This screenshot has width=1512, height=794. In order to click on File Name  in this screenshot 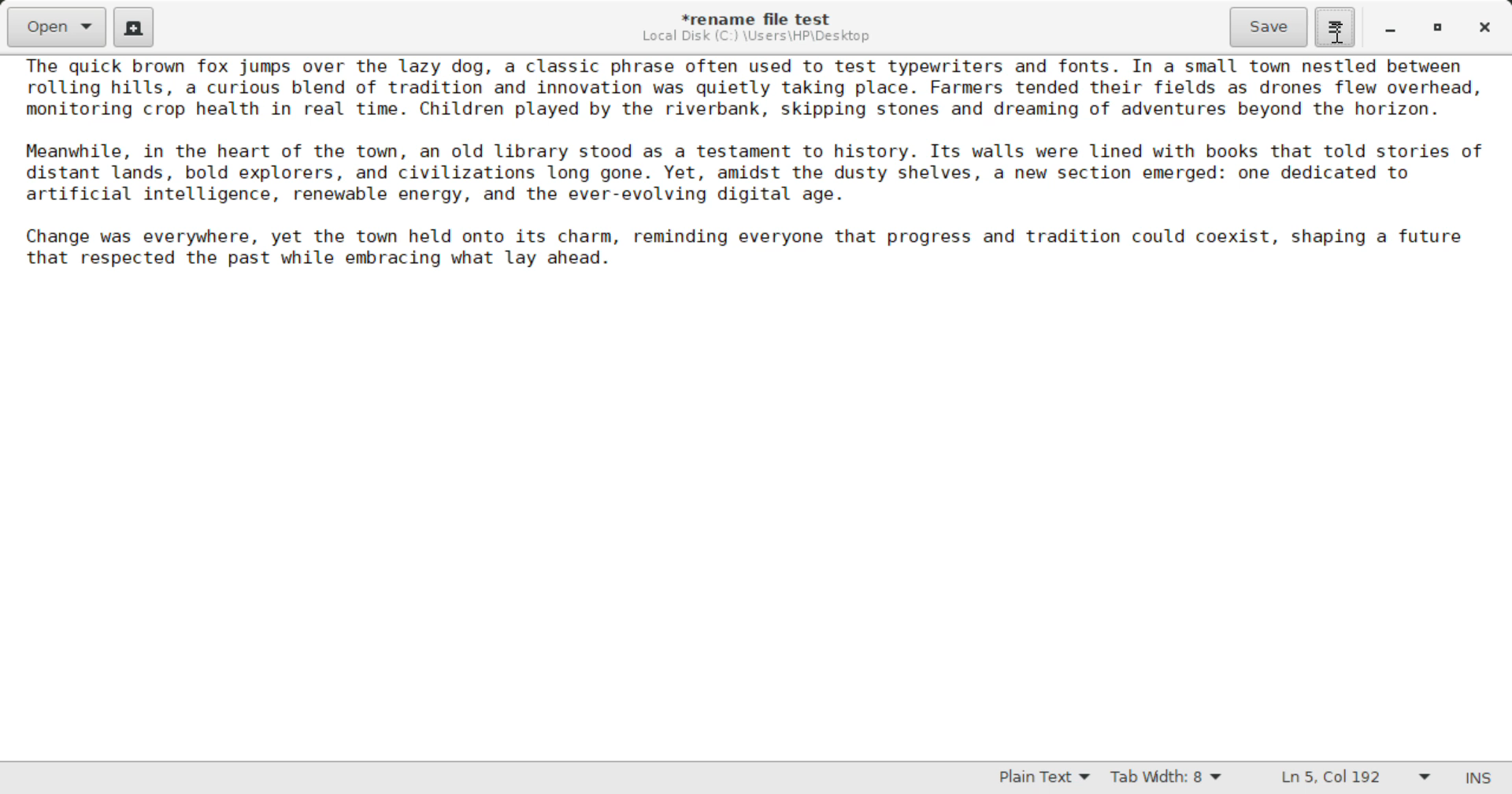, I will do `click(761, 17)`.